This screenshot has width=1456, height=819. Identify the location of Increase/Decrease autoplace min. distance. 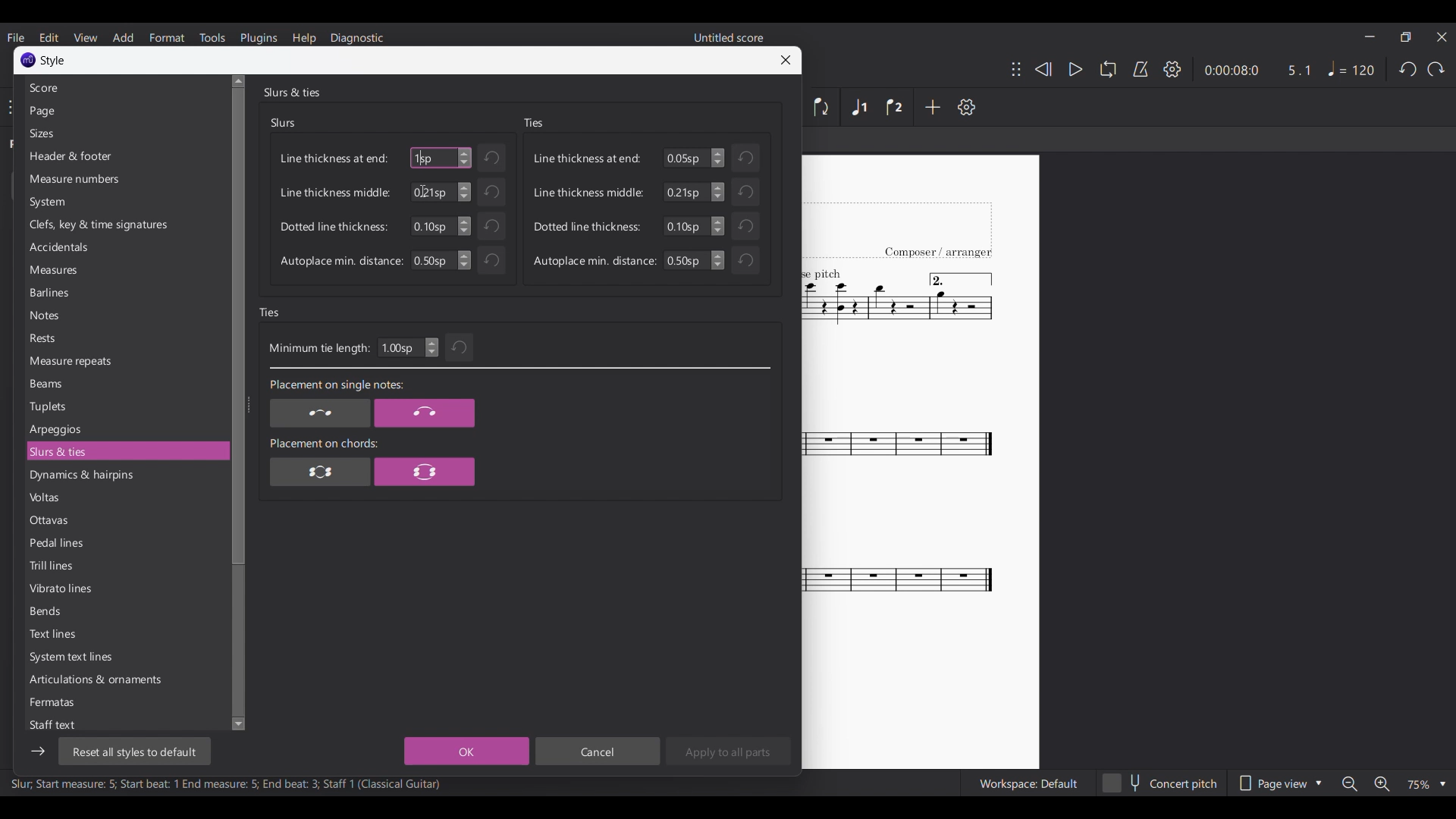
(464, 260).